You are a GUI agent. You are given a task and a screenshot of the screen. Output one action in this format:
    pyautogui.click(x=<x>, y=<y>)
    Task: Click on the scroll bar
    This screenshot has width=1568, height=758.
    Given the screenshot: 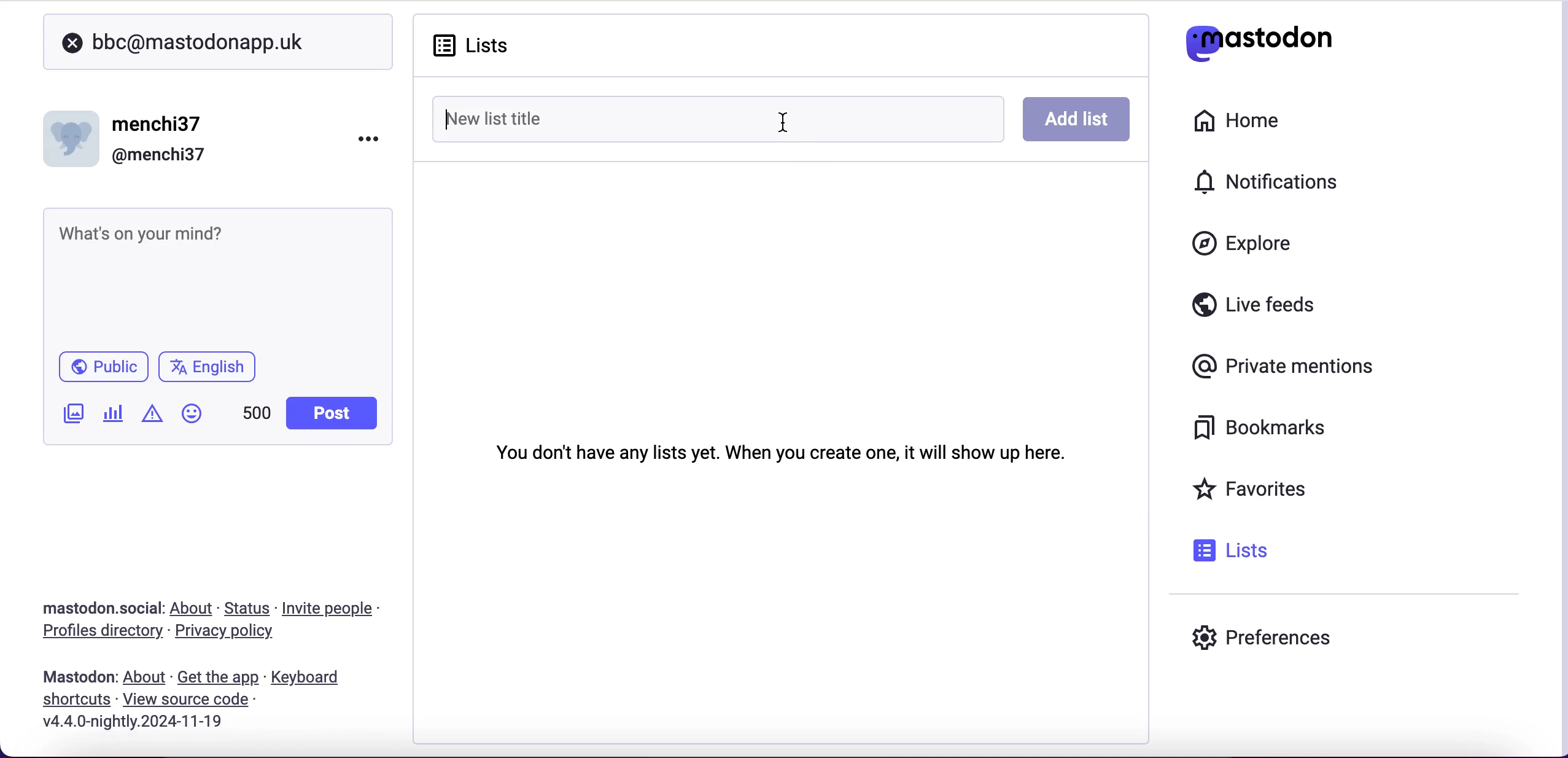 What is the action you would take?
    pyautogui.click(x=1560, y=377)
    